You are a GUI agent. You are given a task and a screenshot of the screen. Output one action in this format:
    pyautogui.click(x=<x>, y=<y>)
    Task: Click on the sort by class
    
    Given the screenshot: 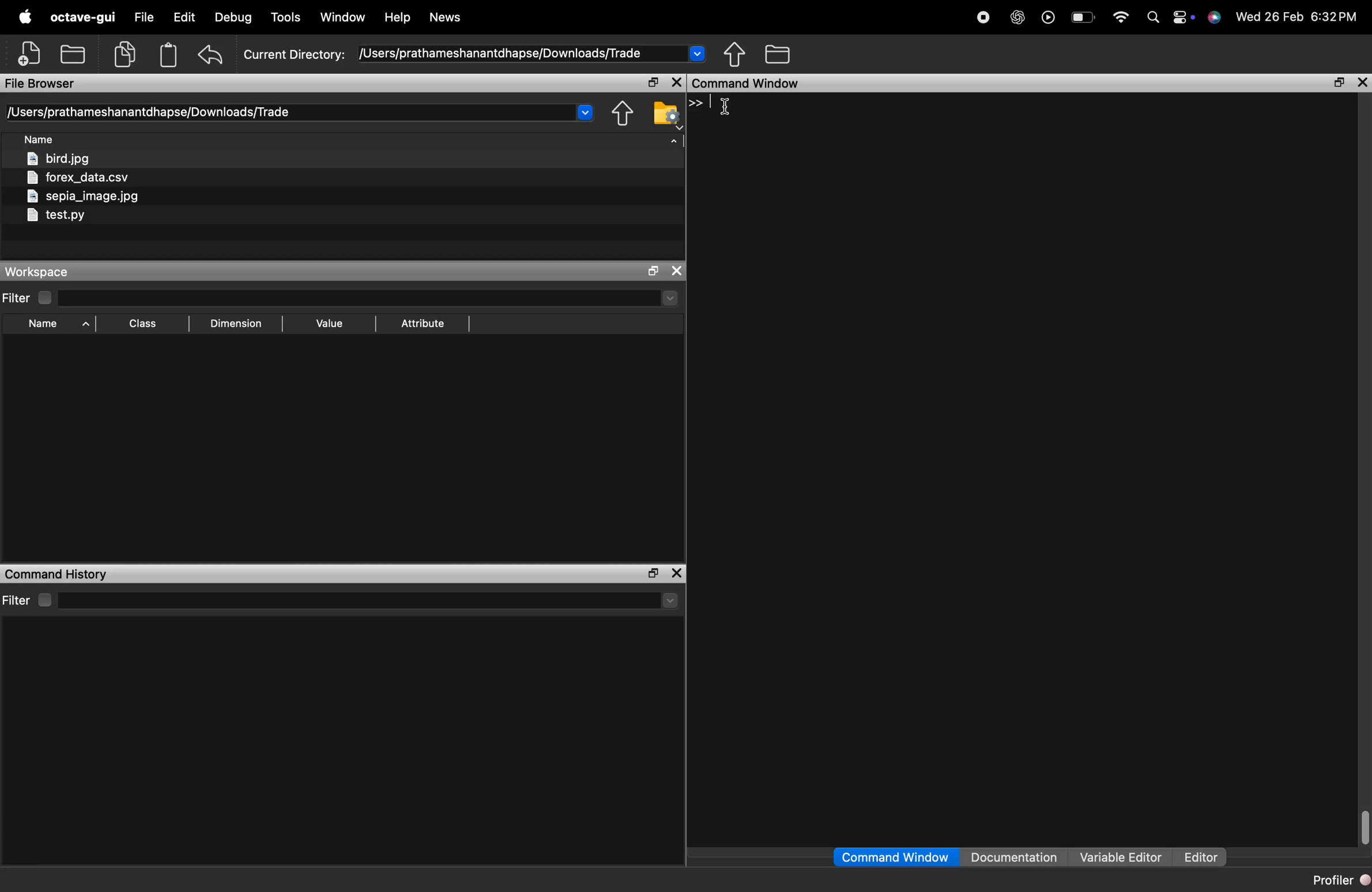 What is the action you would take?
    pyautogui.click(x=145, y=323)
    